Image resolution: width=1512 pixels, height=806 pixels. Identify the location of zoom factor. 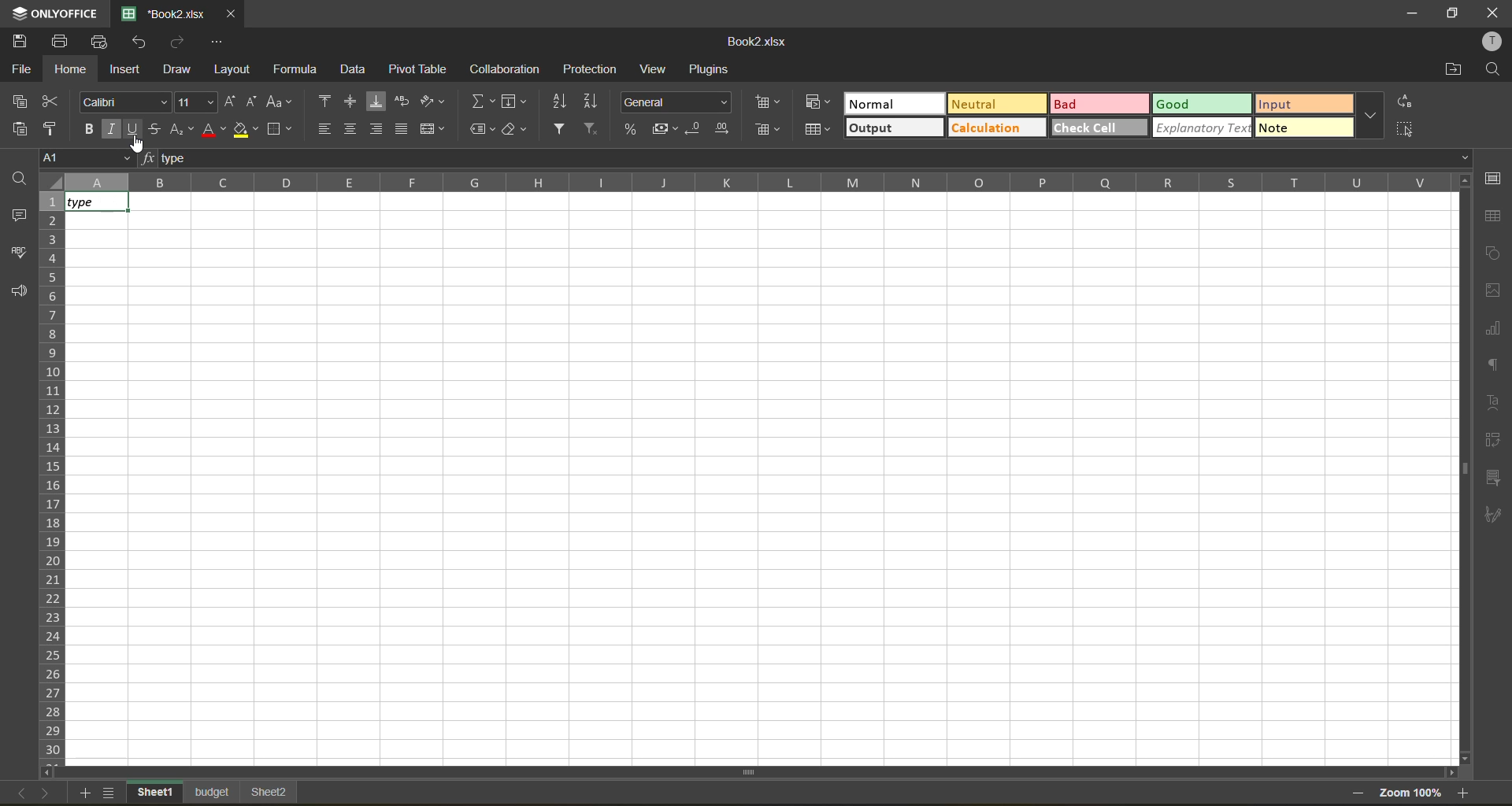
(1412, 792).